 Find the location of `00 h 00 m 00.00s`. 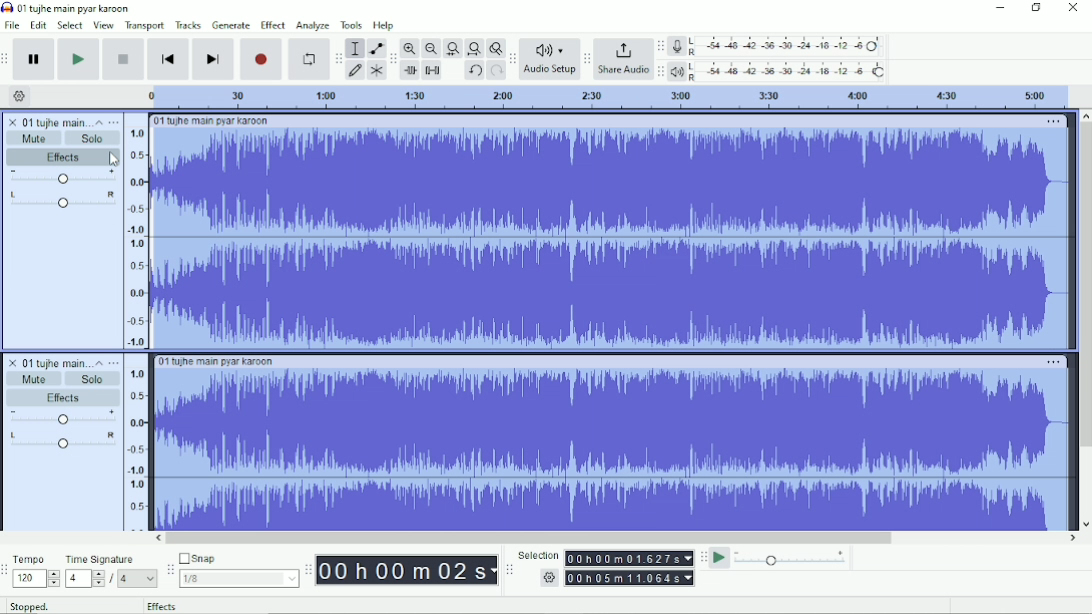

00 h 00 m 00.00s is located at coordinates (630, 558).